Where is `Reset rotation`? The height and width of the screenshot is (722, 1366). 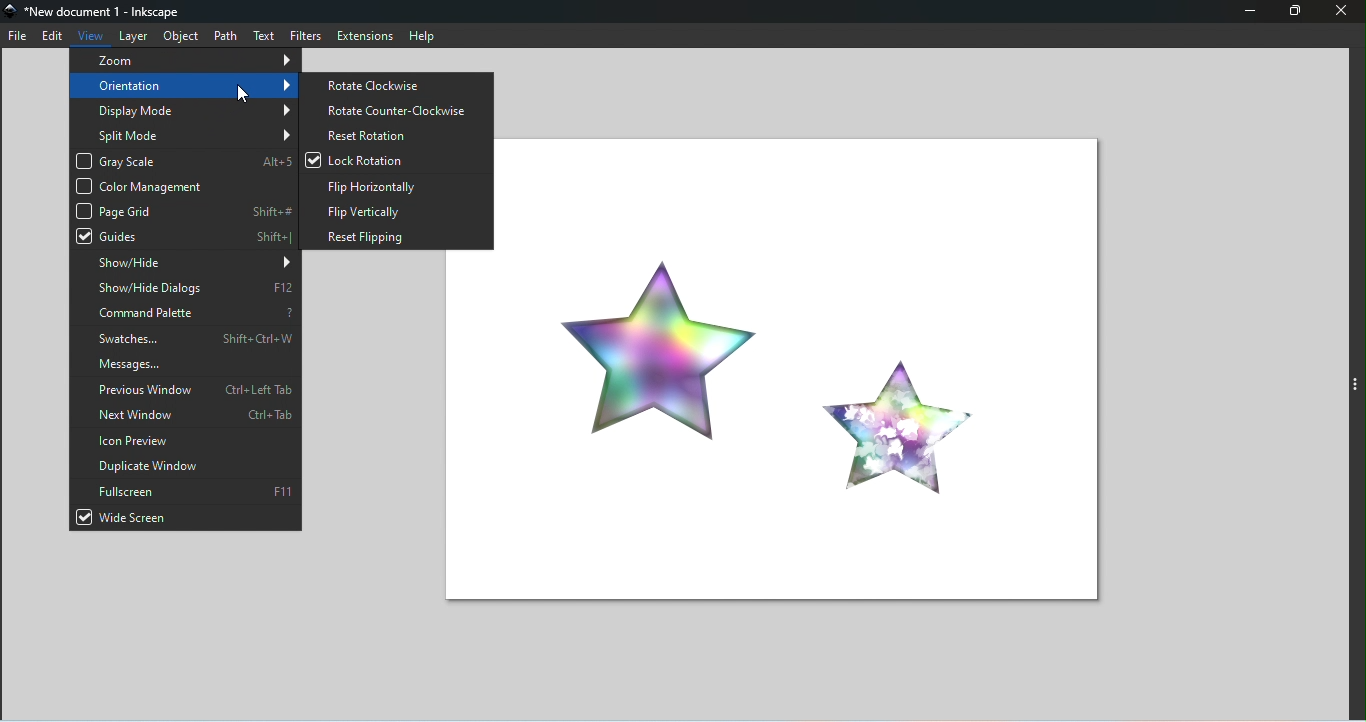 Reset rotation is located at coordinates (397, 135).